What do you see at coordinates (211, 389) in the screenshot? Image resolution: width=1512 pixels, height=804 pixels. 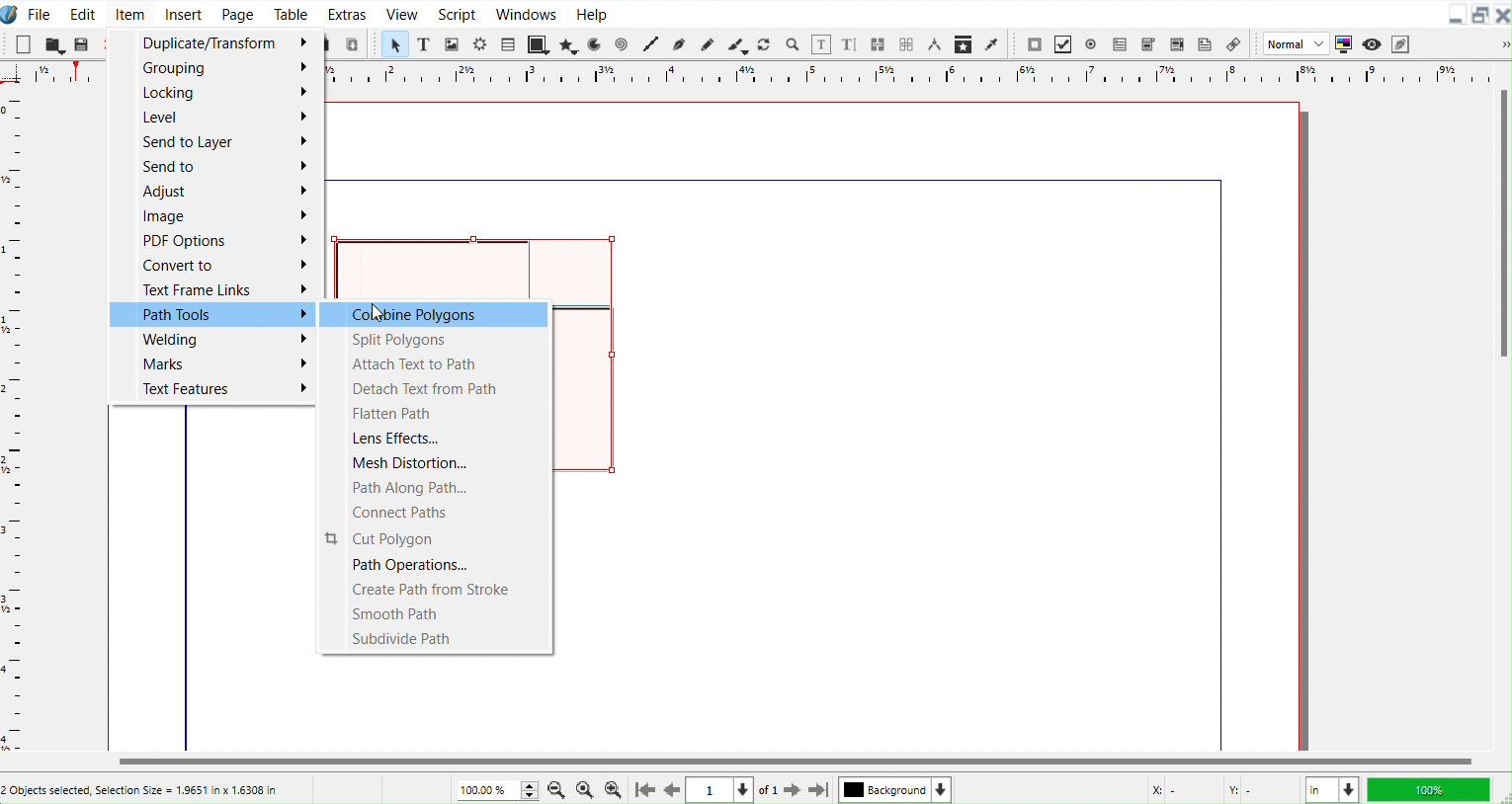 I see `Text Features` at bounding box center [211, 389].